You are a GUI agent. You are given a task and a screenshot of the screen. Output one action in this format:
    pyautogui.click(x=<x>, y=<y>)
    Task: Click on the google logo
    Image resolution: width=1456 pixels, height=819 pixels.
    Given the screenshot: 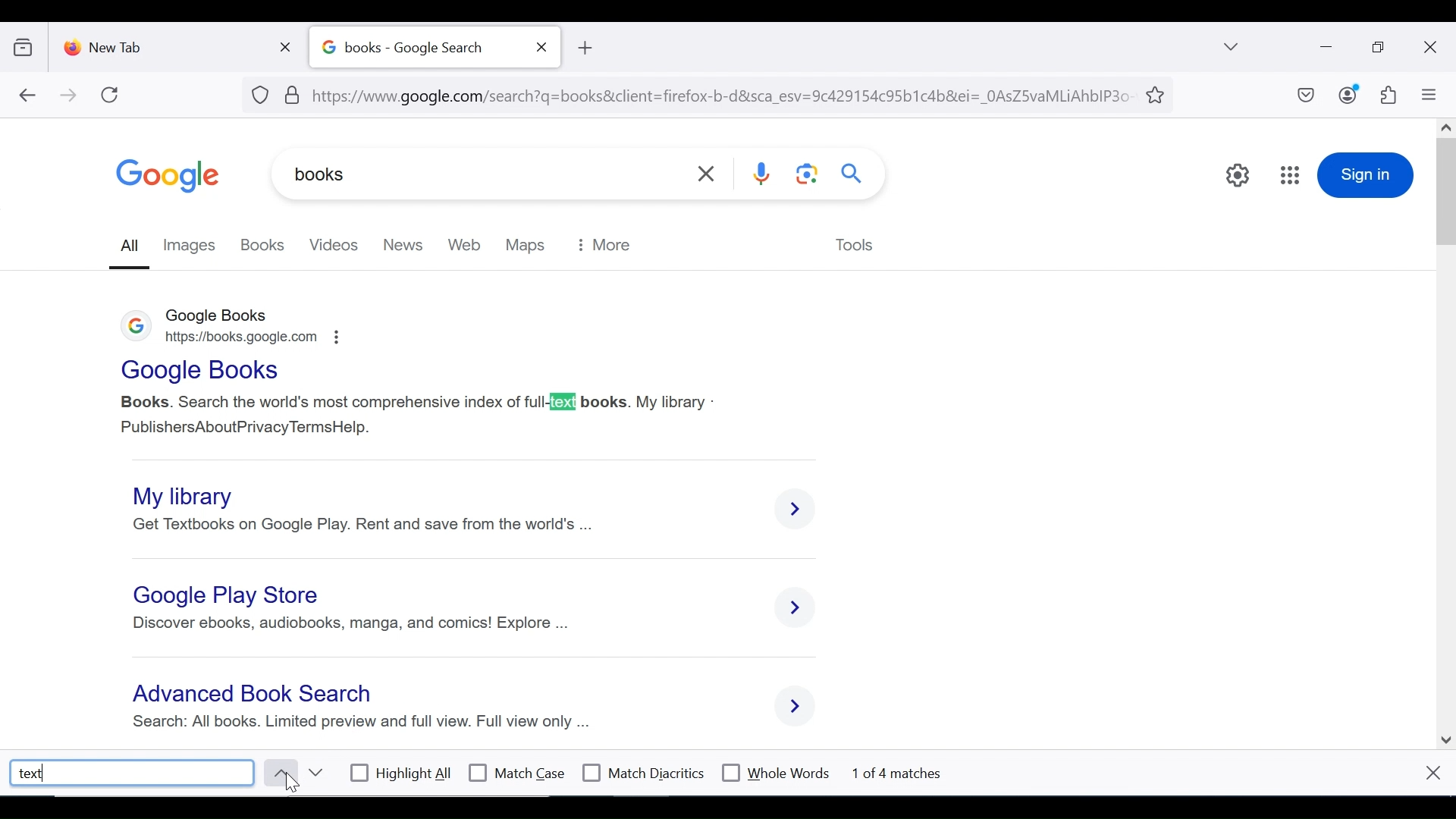 What is the action you would take?
    pyautogui.click(x=168, y=176)
    